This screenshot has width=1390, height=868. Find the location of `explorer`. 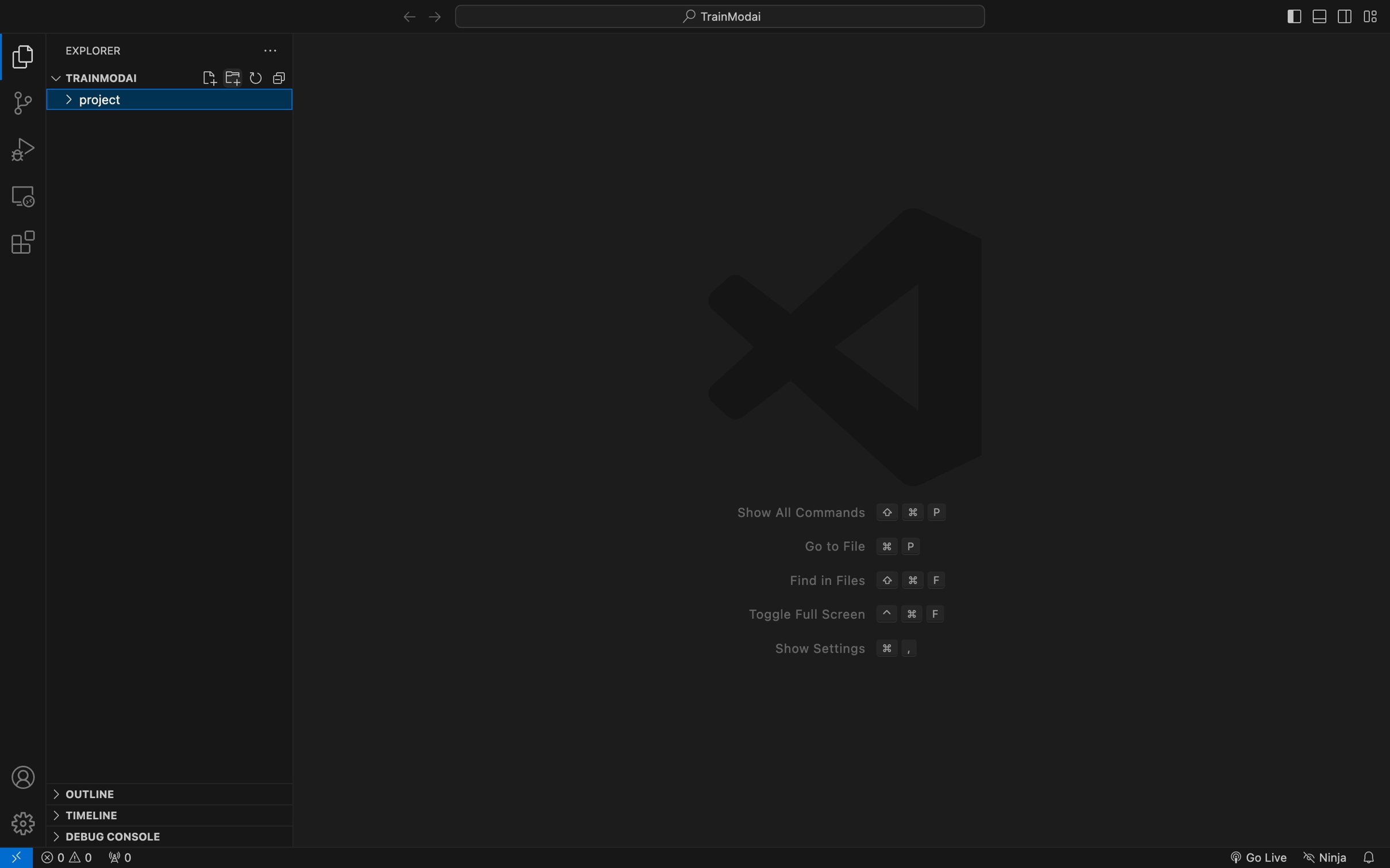

explorer is located at coordinates (96, 48).